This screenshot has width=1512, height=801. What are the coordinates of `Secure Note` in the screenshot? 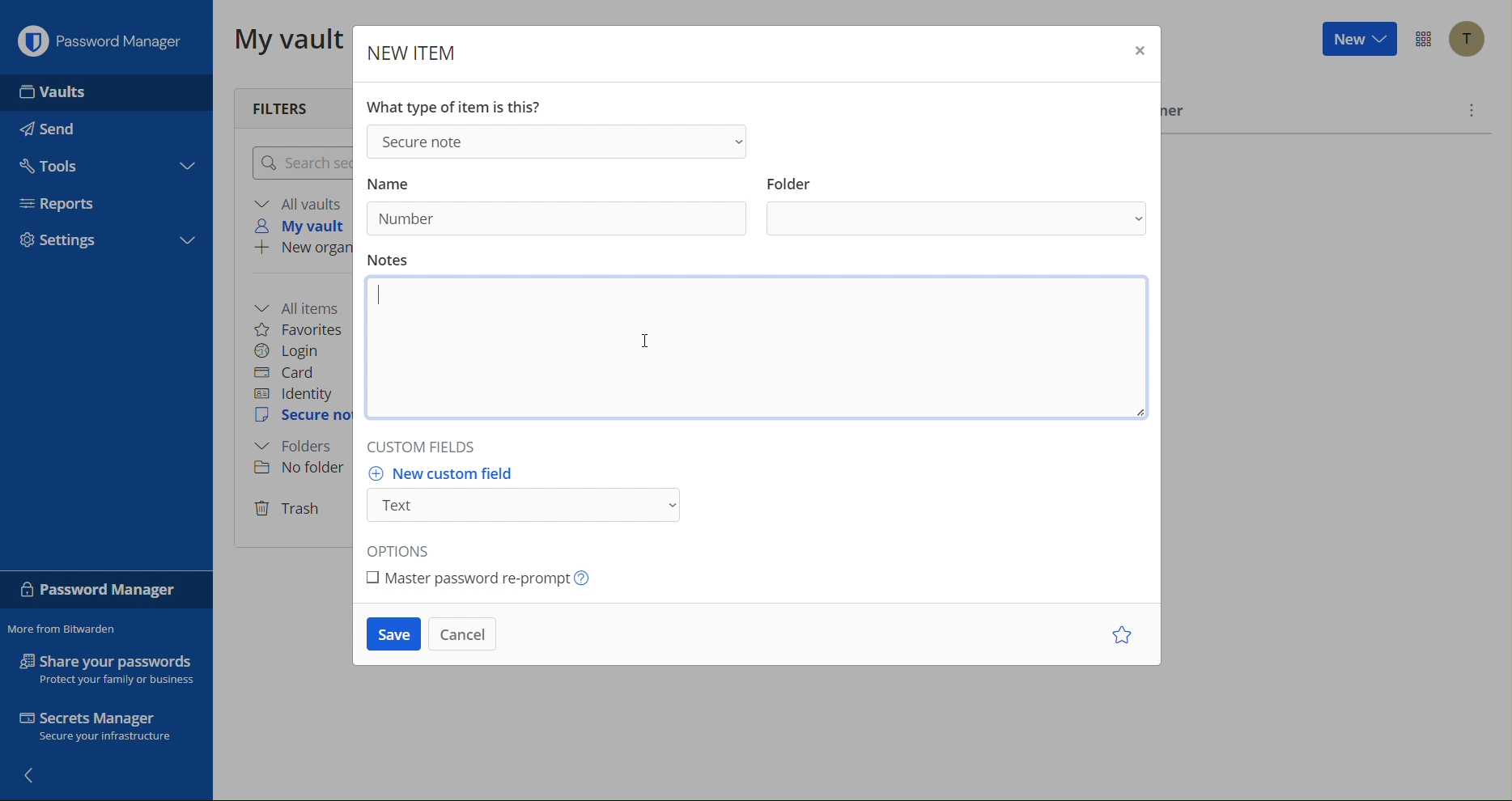 It's located at (301, 418).